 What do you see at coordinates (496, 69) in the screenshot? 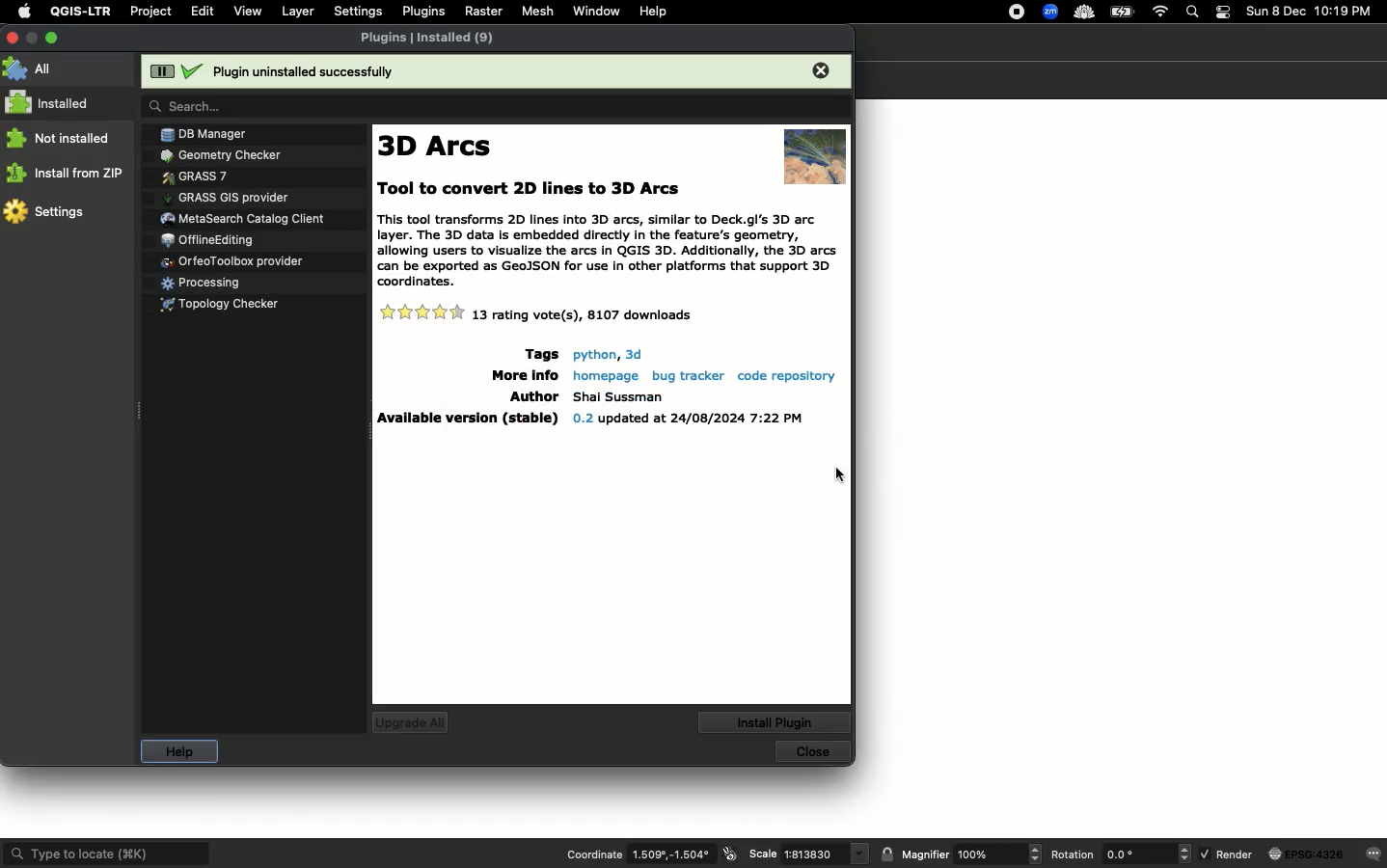
I see `Plugin uninstalled successfully` at bounding box center [496, 69].